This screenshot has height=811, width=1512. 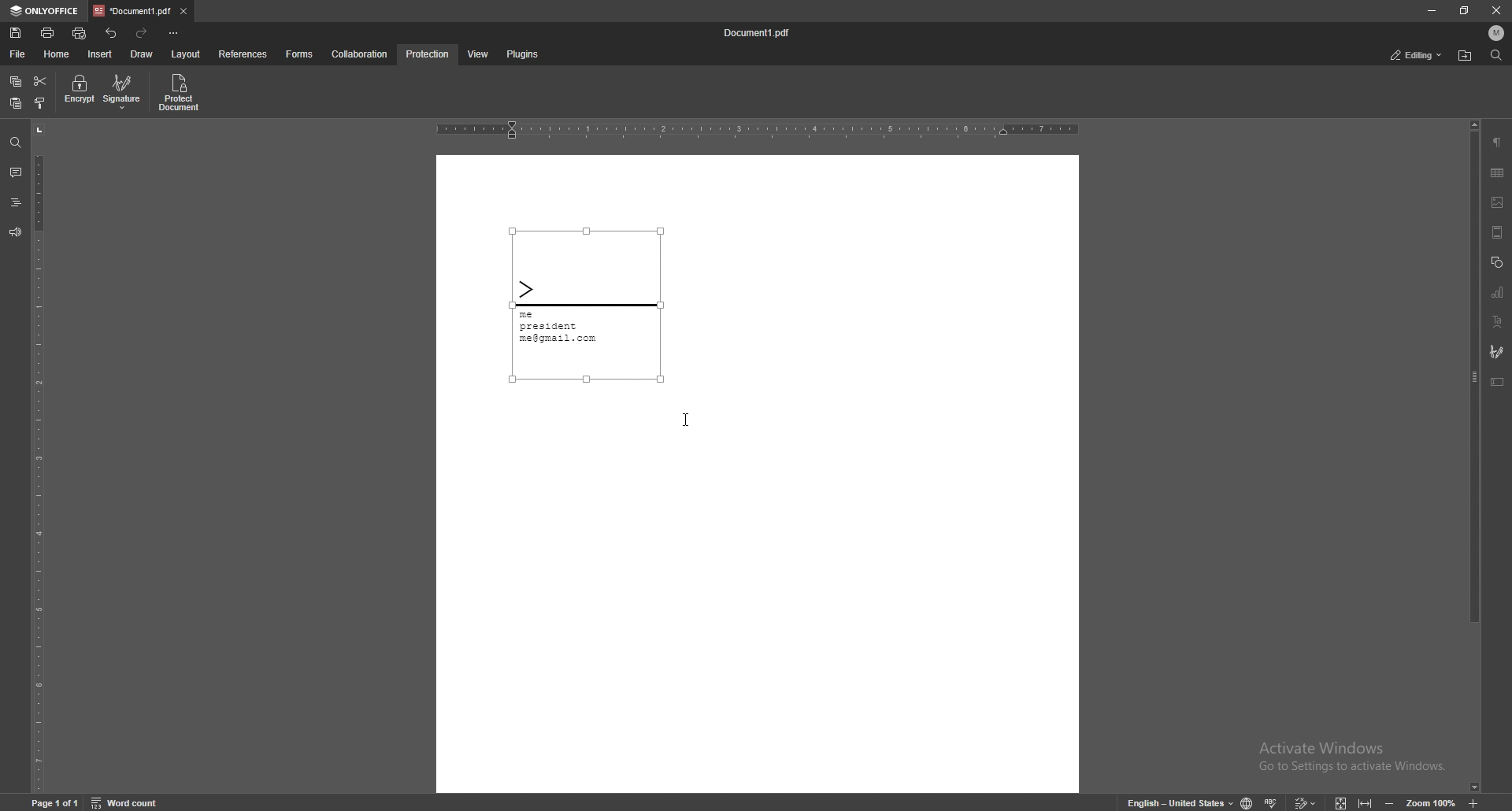 I want to click on scroll bar, so click(x=1475, y=457).